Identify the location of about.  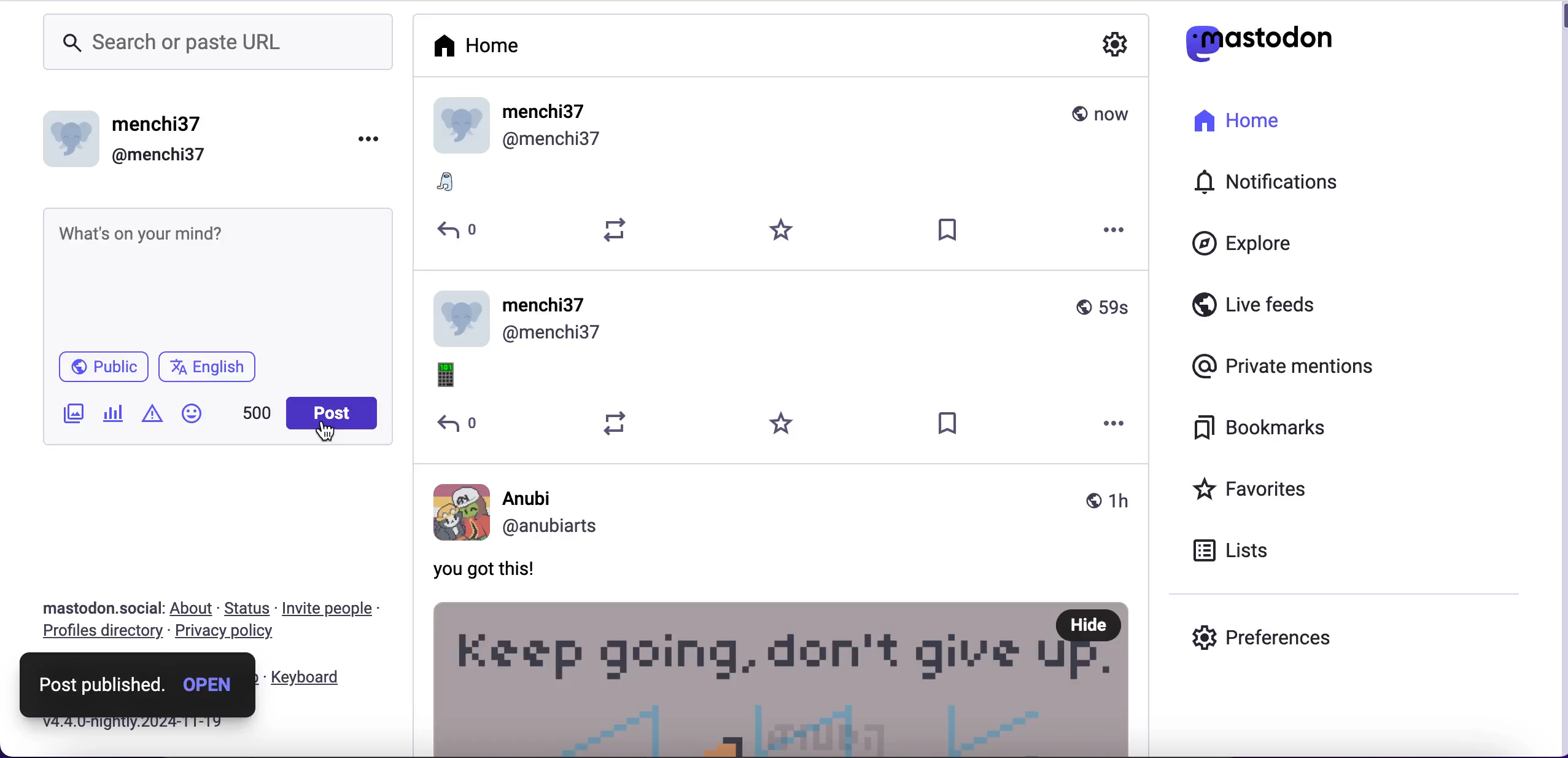
(192, 609).